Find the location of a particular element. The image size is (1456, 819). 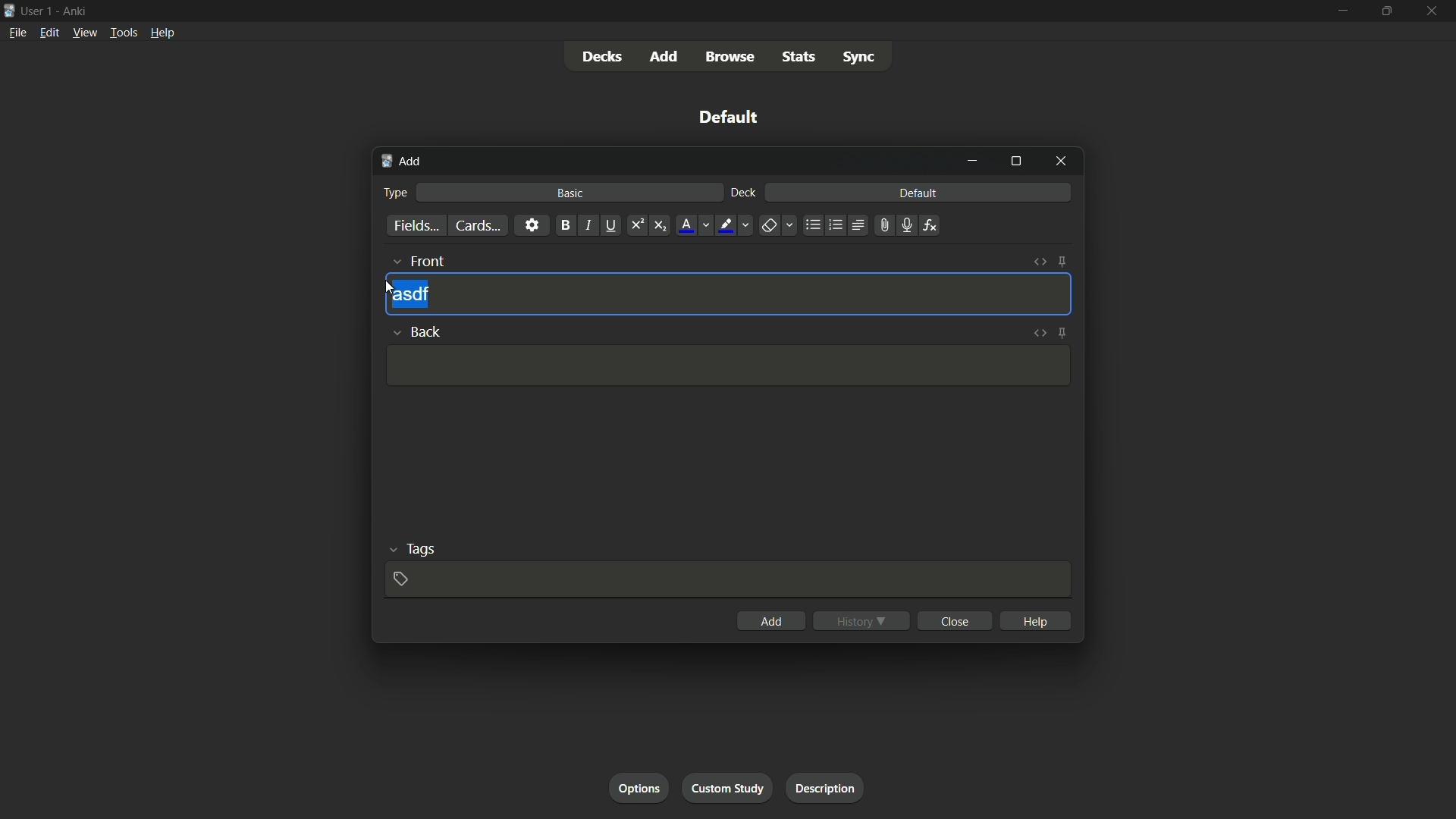

underline is located at coordinates (611, 225).